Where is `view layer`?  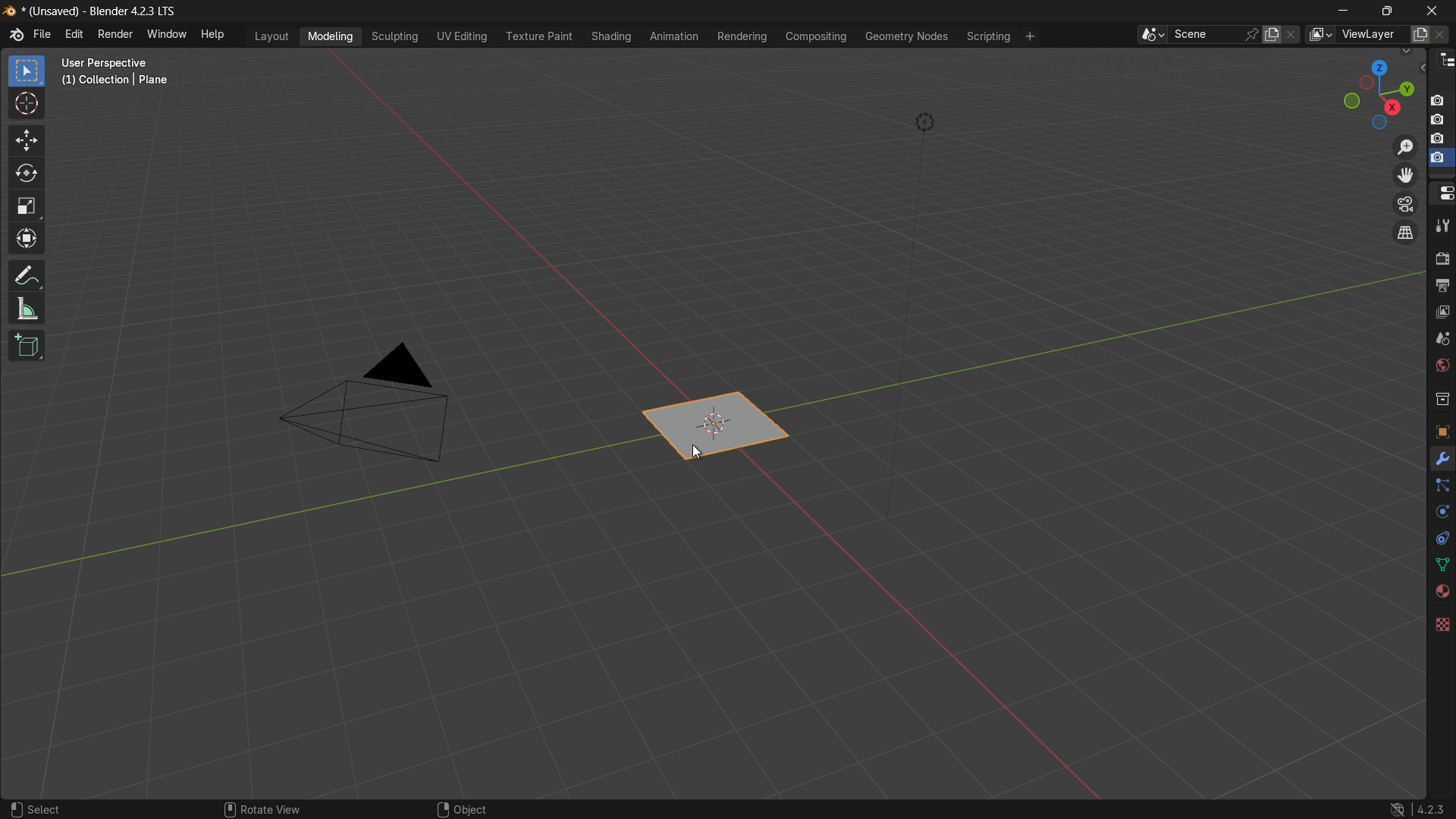 view layer is located at coordinates (1441, 311).